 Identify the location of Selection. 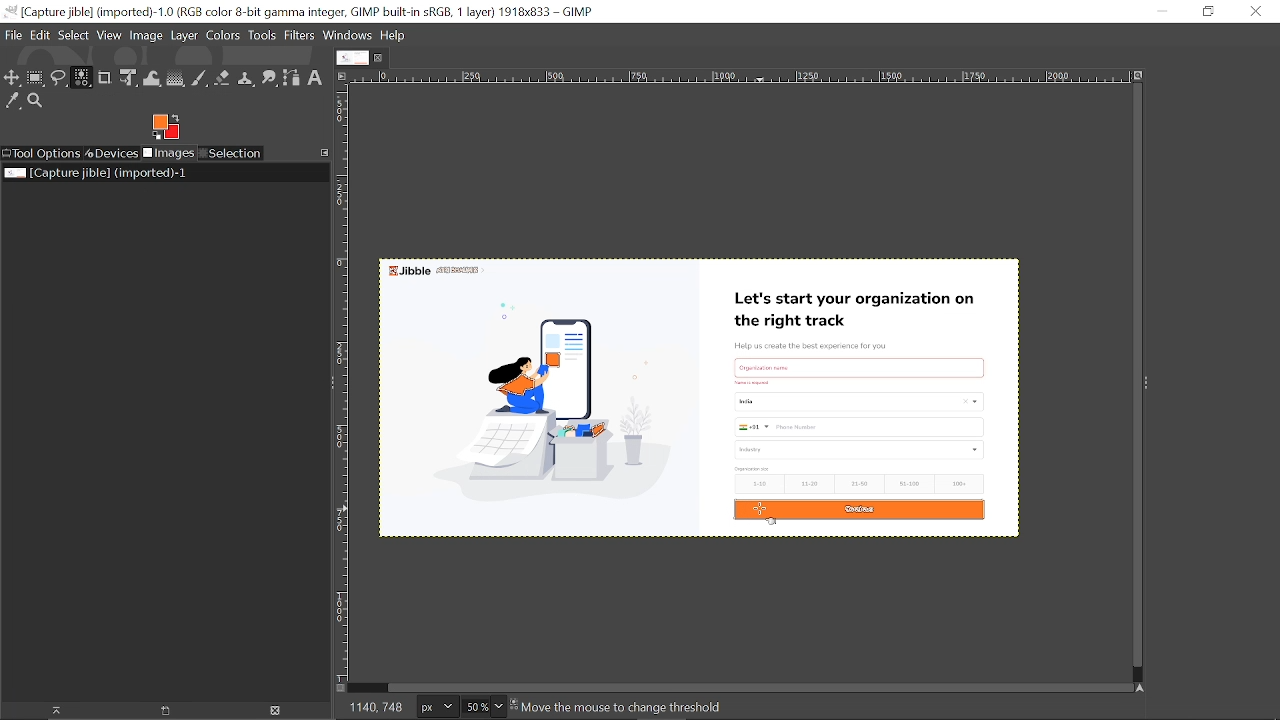
(232, 153).